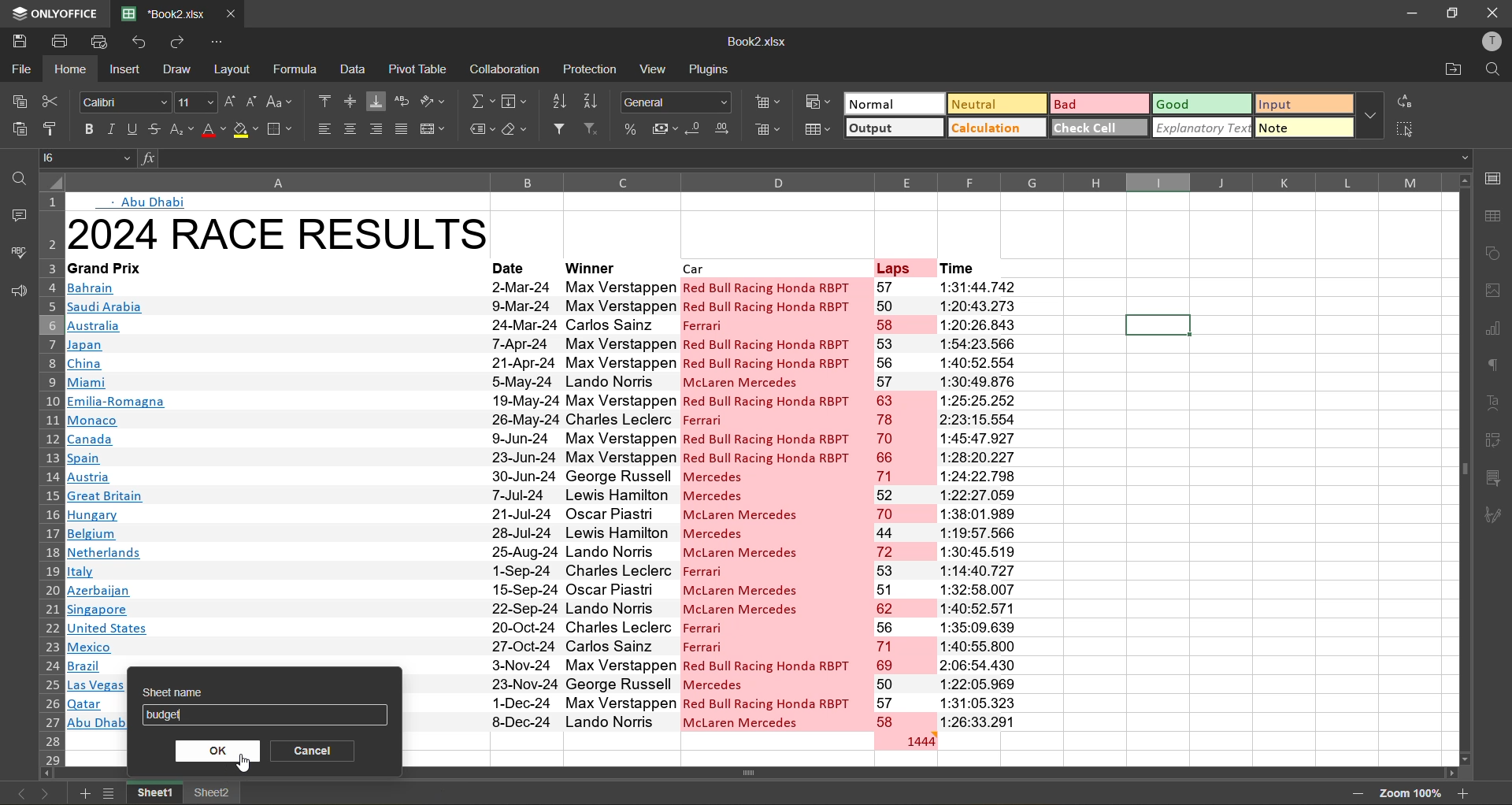 Image resolution: width=1512 pixels, height=805 pixels. What do you see at coordinates (20, 132) in the screenshot?
I see `paste` at bounding box center [20, 132].